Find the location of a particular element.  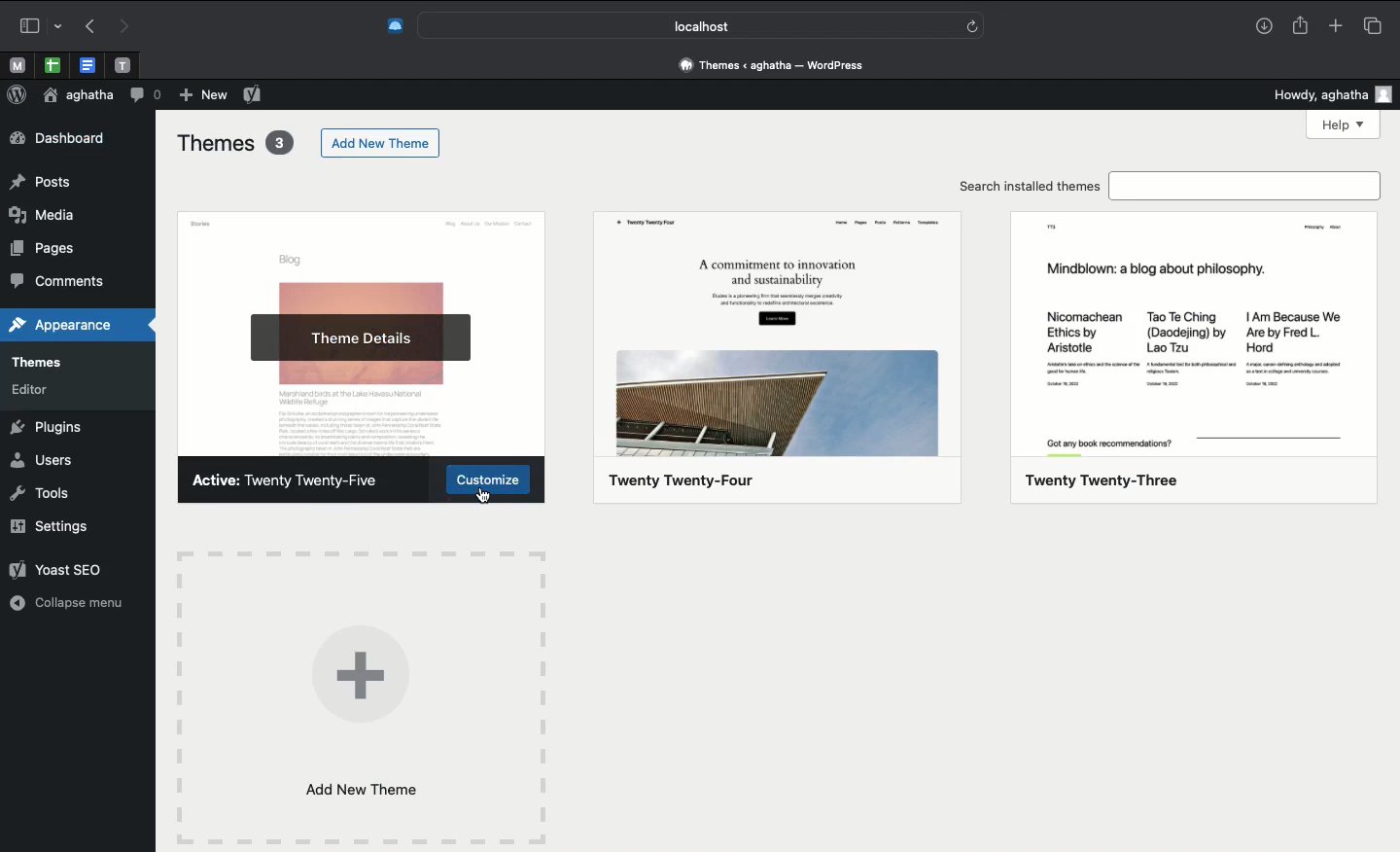

cursor is located at coordinates (487, 499).